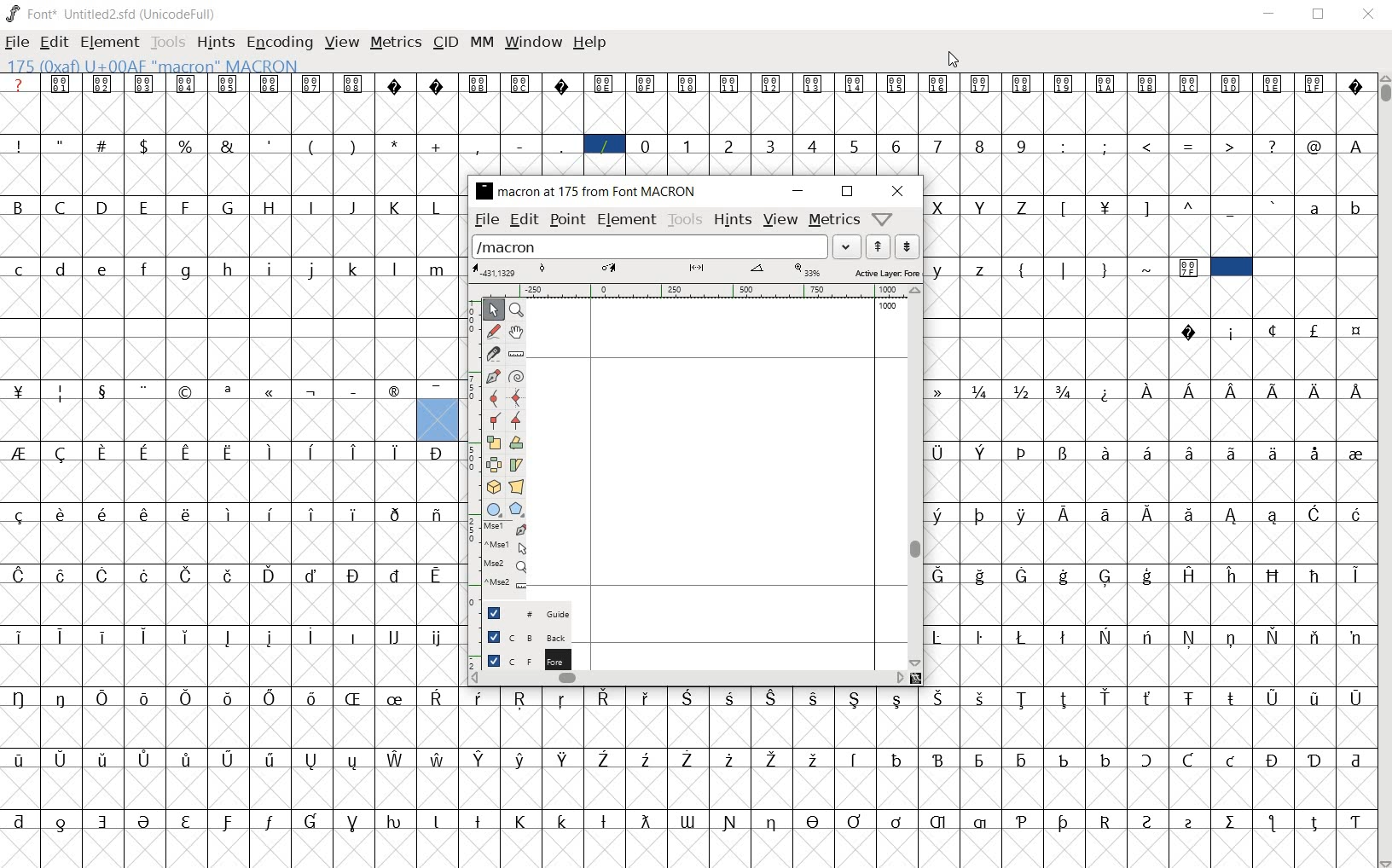 Image resolution: width=1392 pixels, height=868 pixels. I want to click on Symbol, so click(62, 454).